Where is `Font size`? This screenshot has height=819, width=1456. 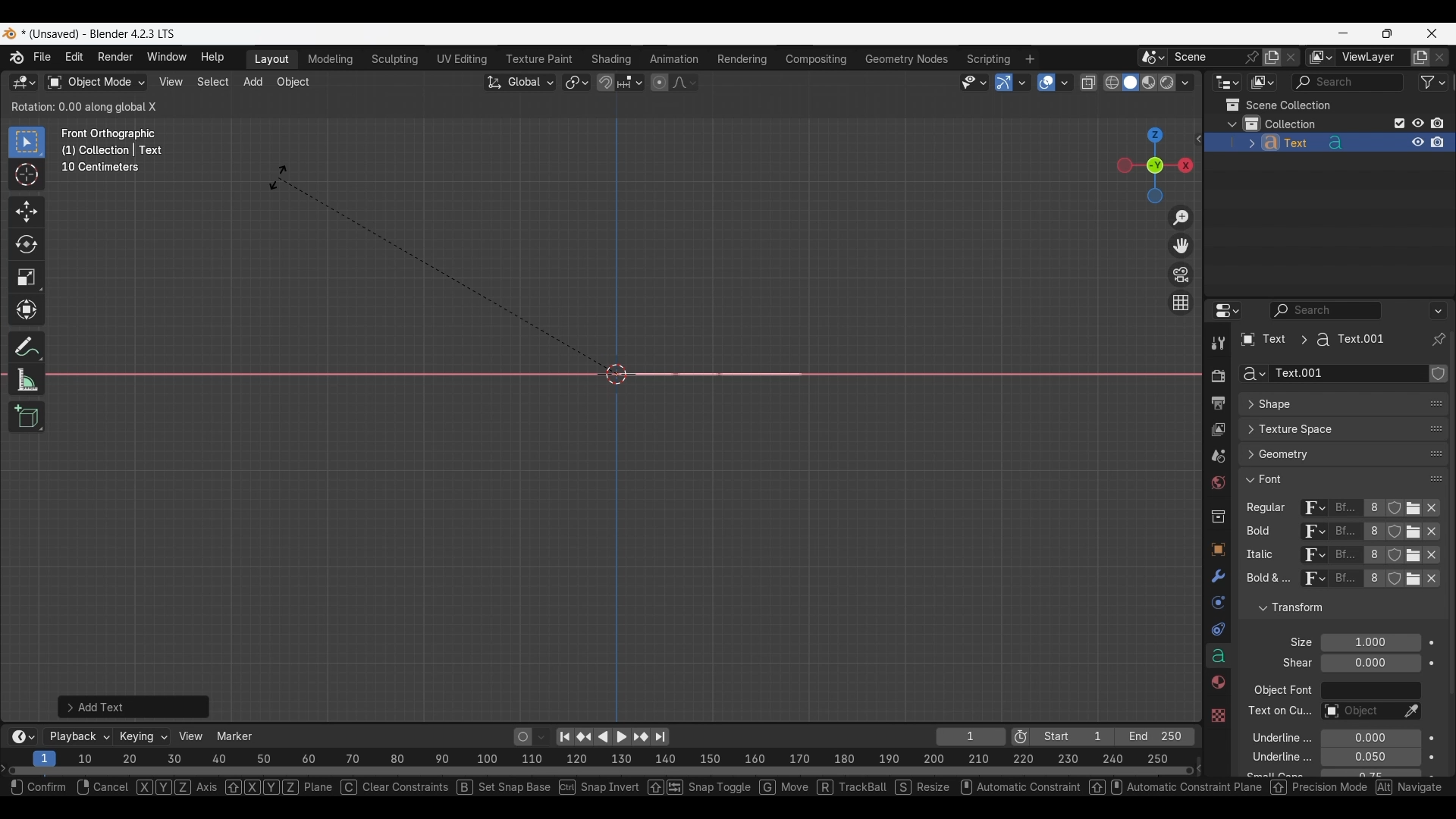 Font size is located at coordinates (1372, 643).